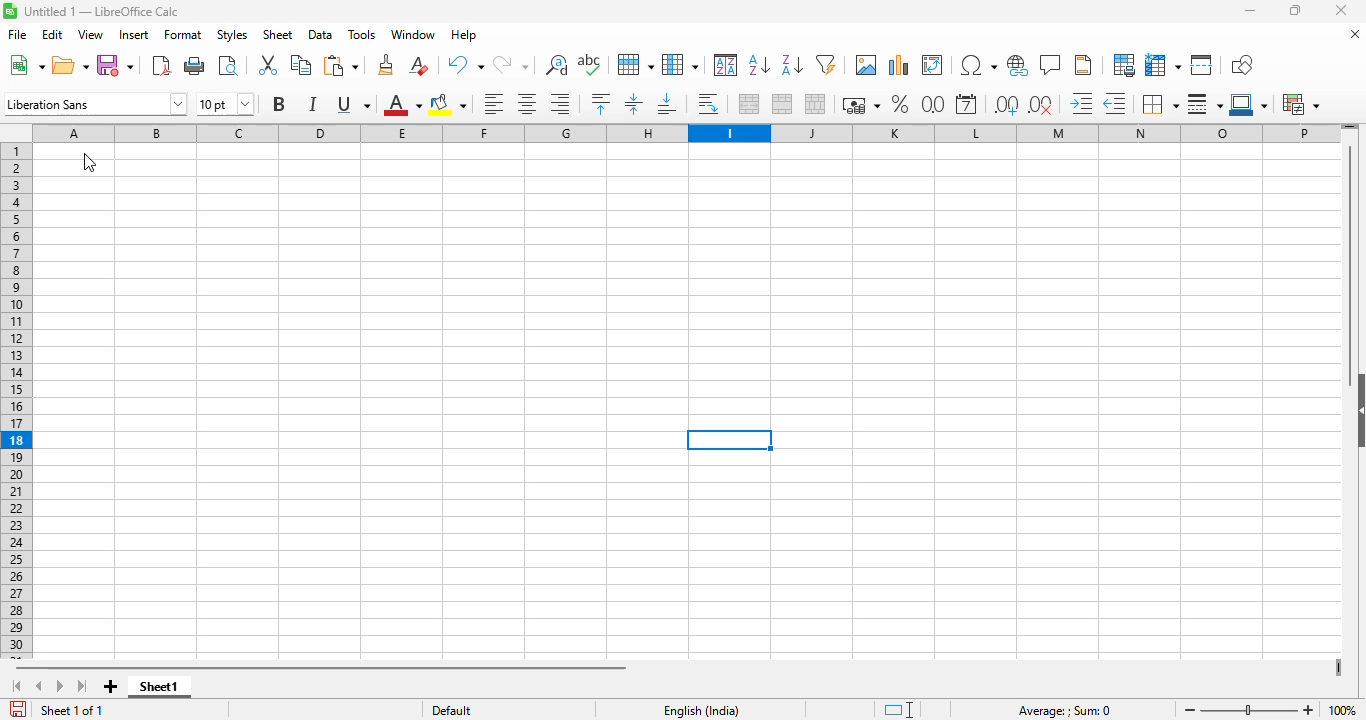 This screenshot has height=720, width=1366. I want to click on clear direct formatting, so click(419, 64).